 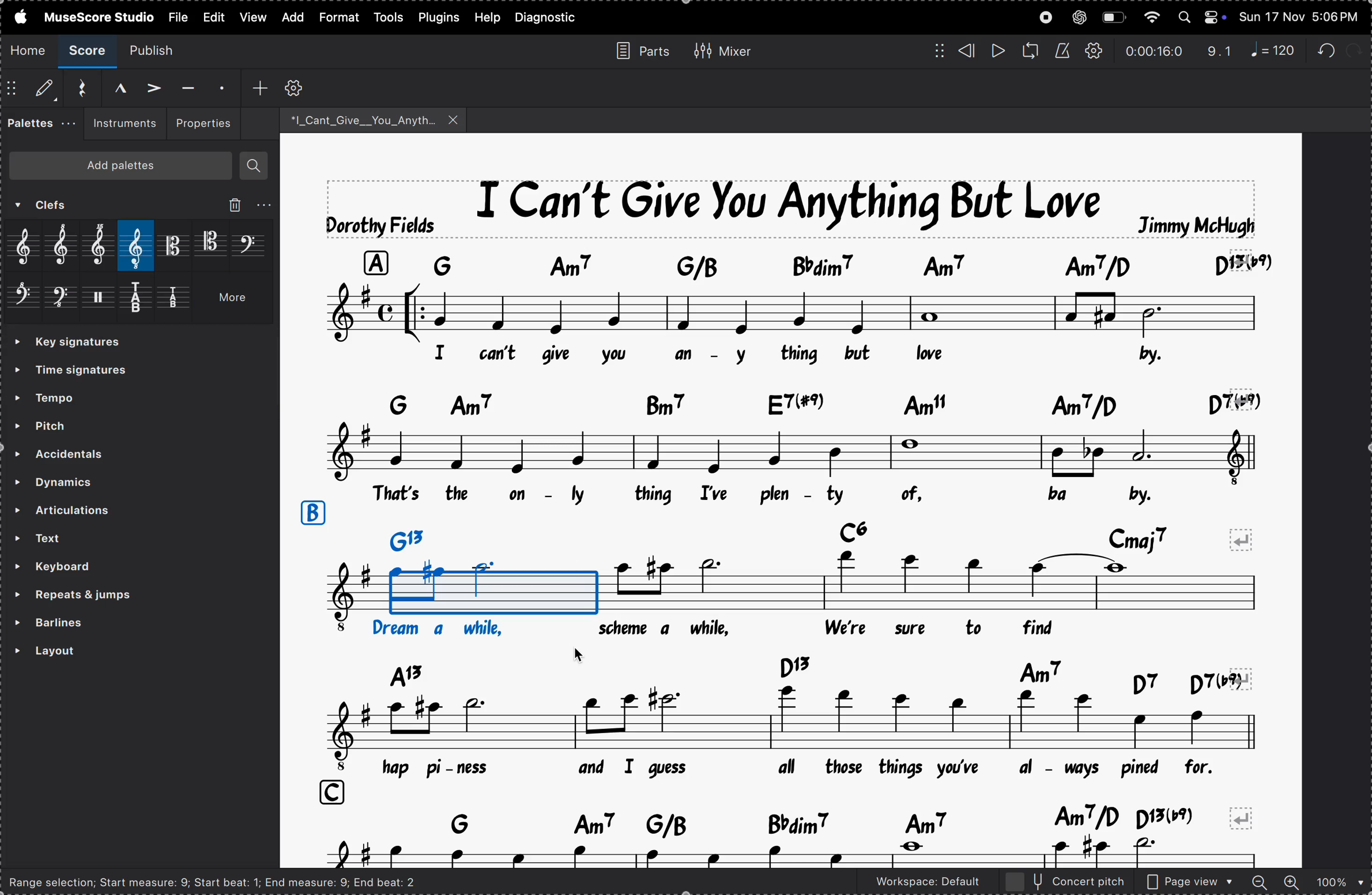 I want to click on home, so click(x=29, y=50).